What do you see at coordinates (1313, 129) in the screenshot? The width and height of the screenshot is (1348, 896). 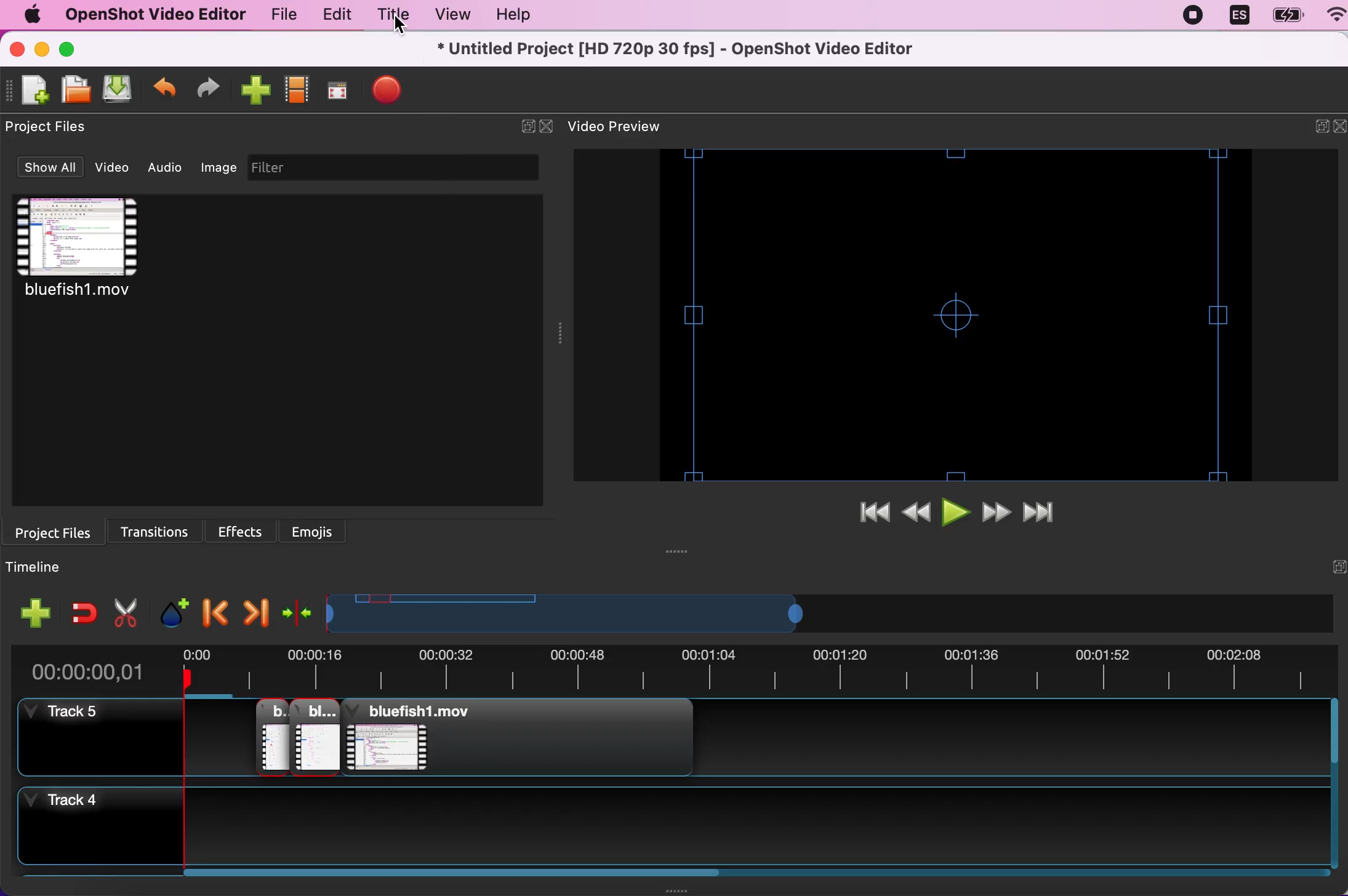 I see `expand/hide` at bounding box center [1313, 129].